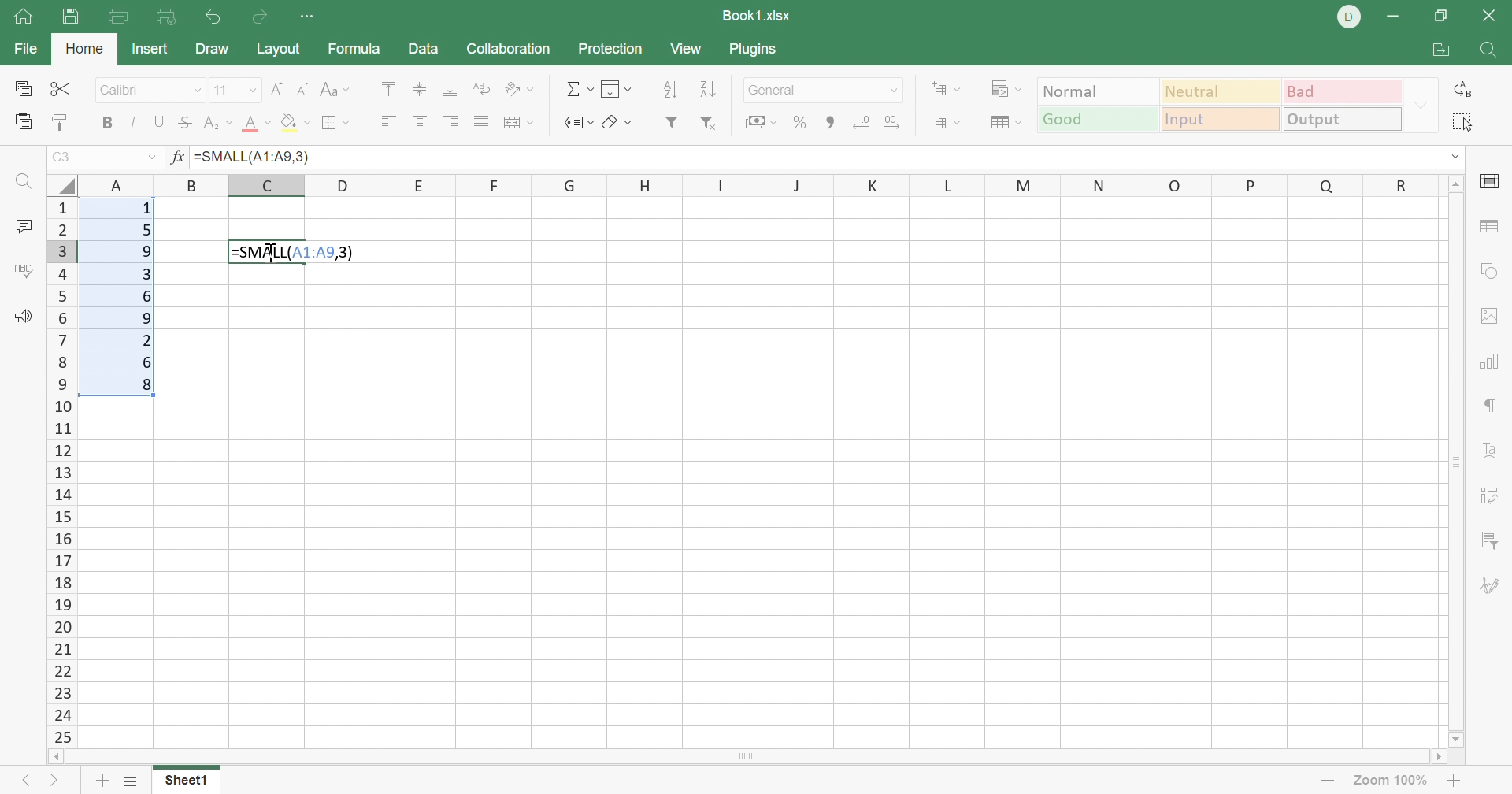 The height and width of the screenshot is (794, 1512). Describe the element at coordinates (132, 780) in the screenshot. I see `List of sheets` at that location.